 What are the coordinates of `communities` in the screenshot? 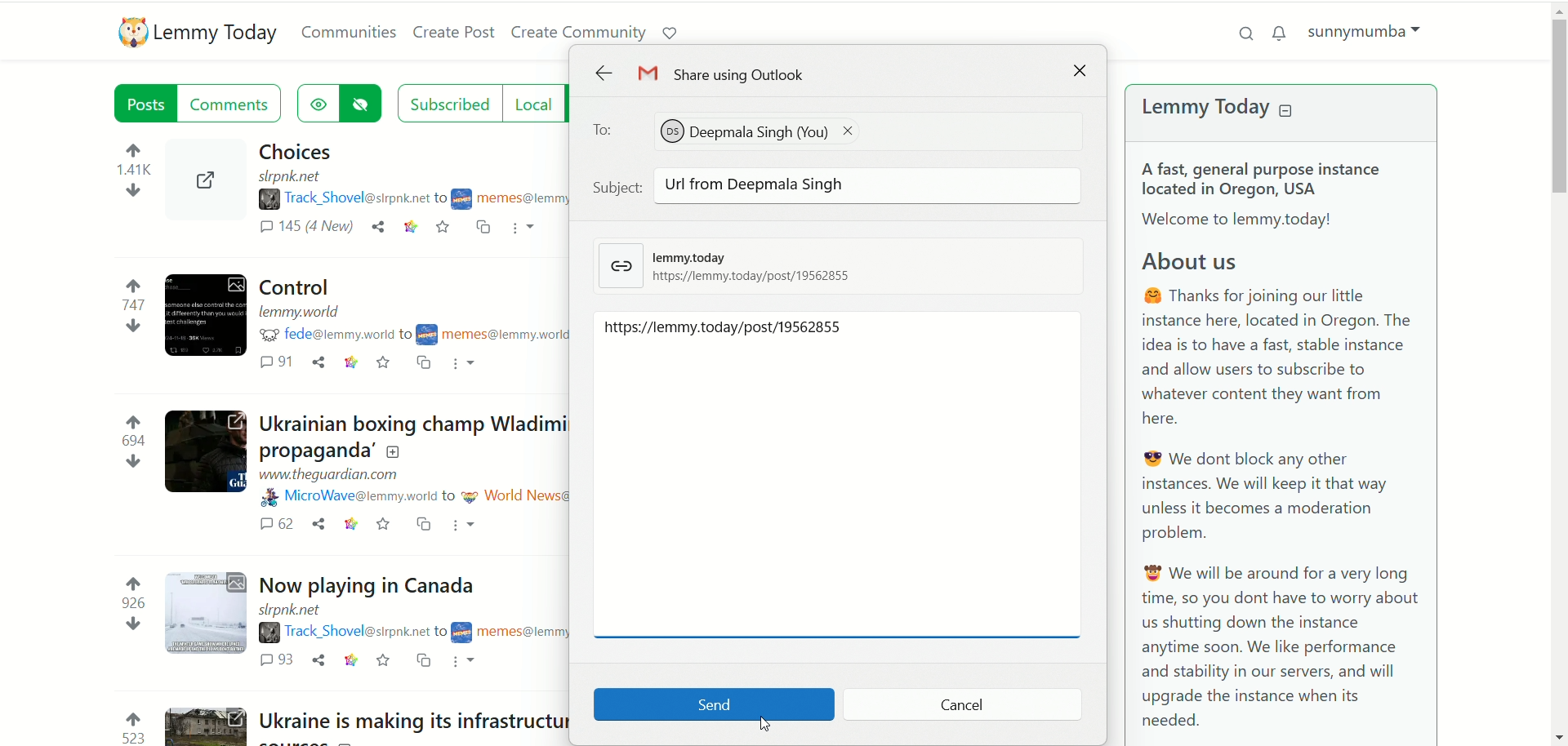 It's located at (345, 33).